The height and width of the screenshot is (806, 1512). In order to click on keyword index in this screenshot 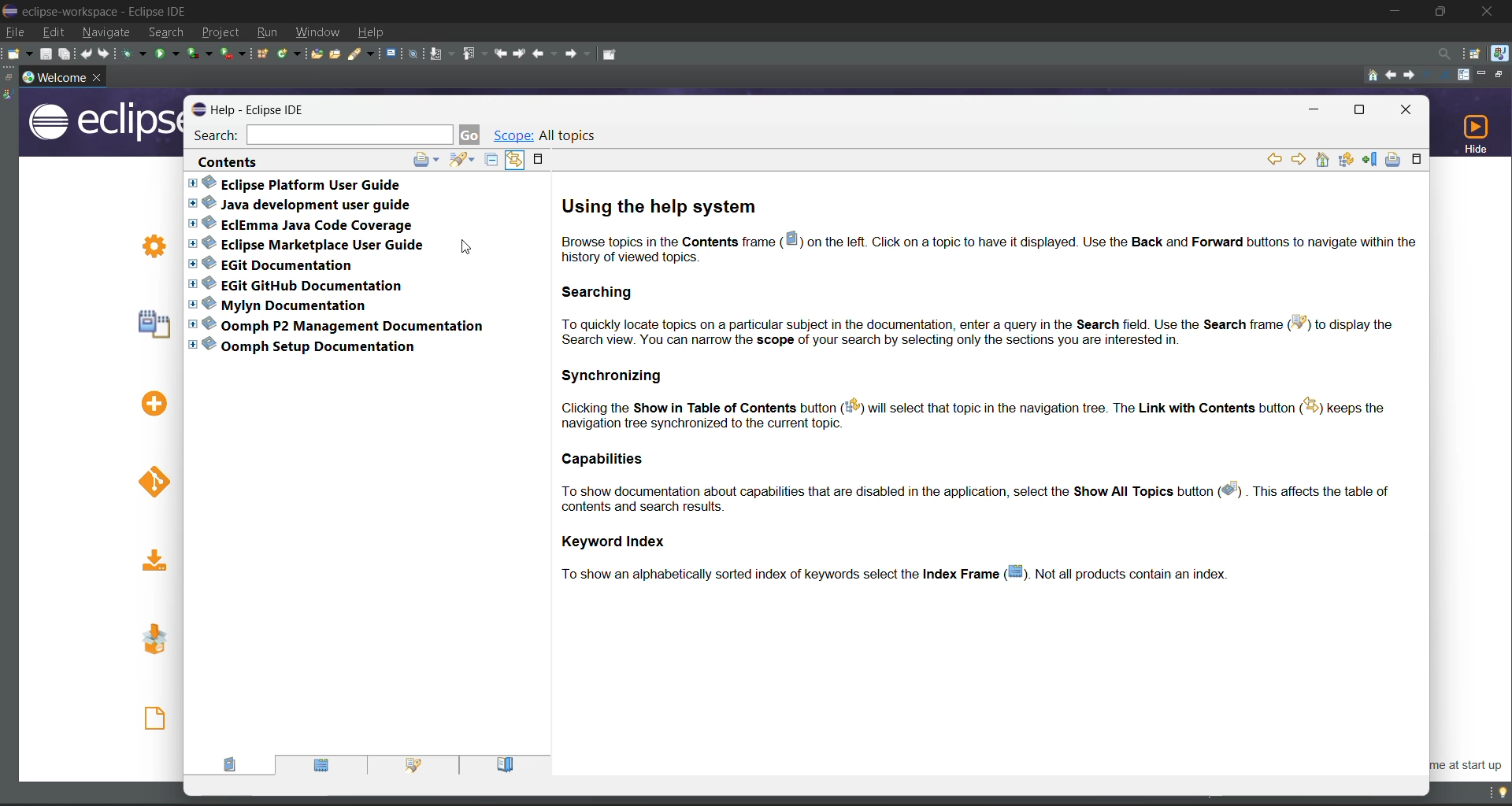, I will do `click(988, 567)`.